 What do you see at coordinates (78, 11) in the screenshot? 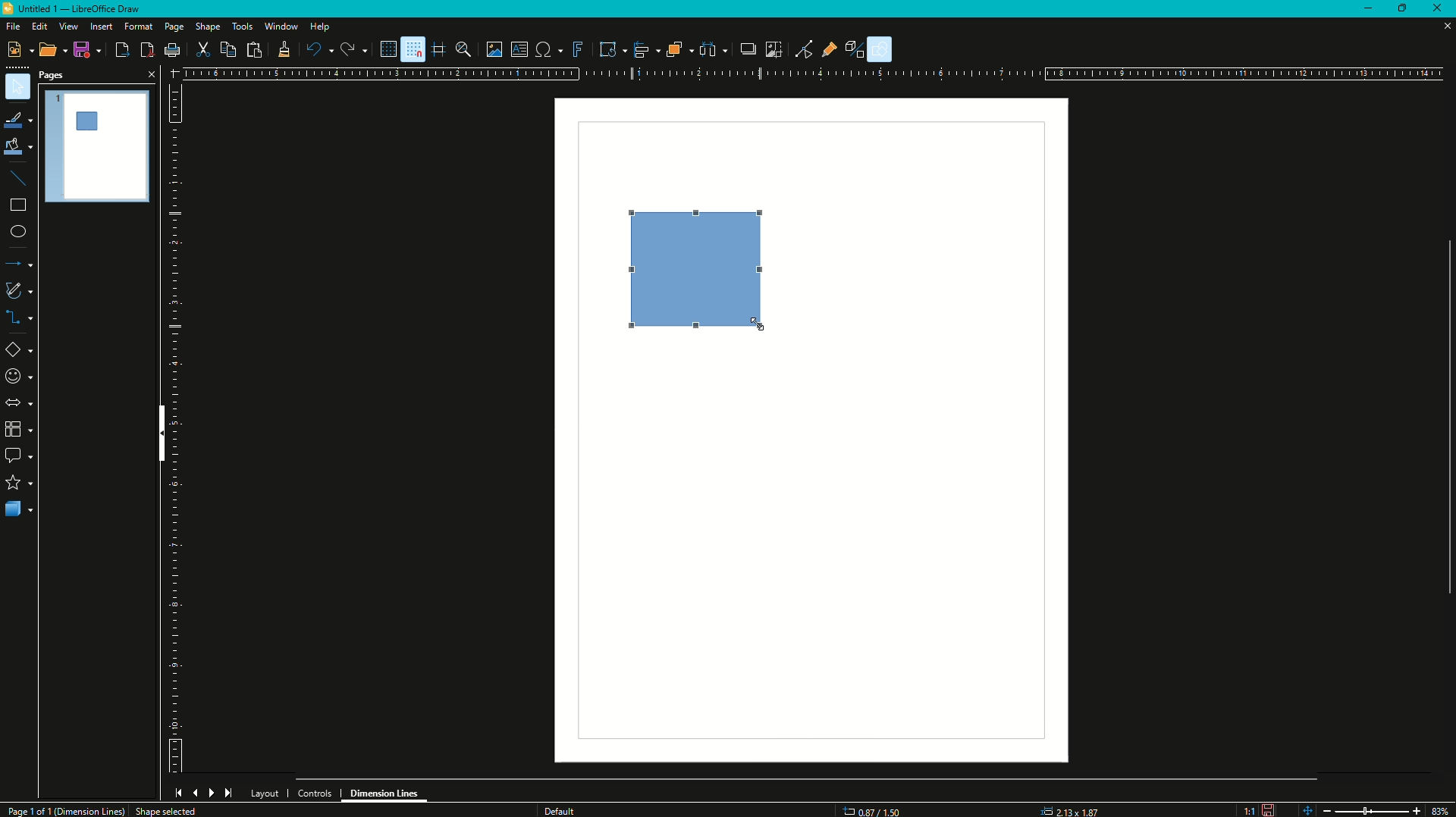
I see `Untitled` at bounding box center [78, 11].